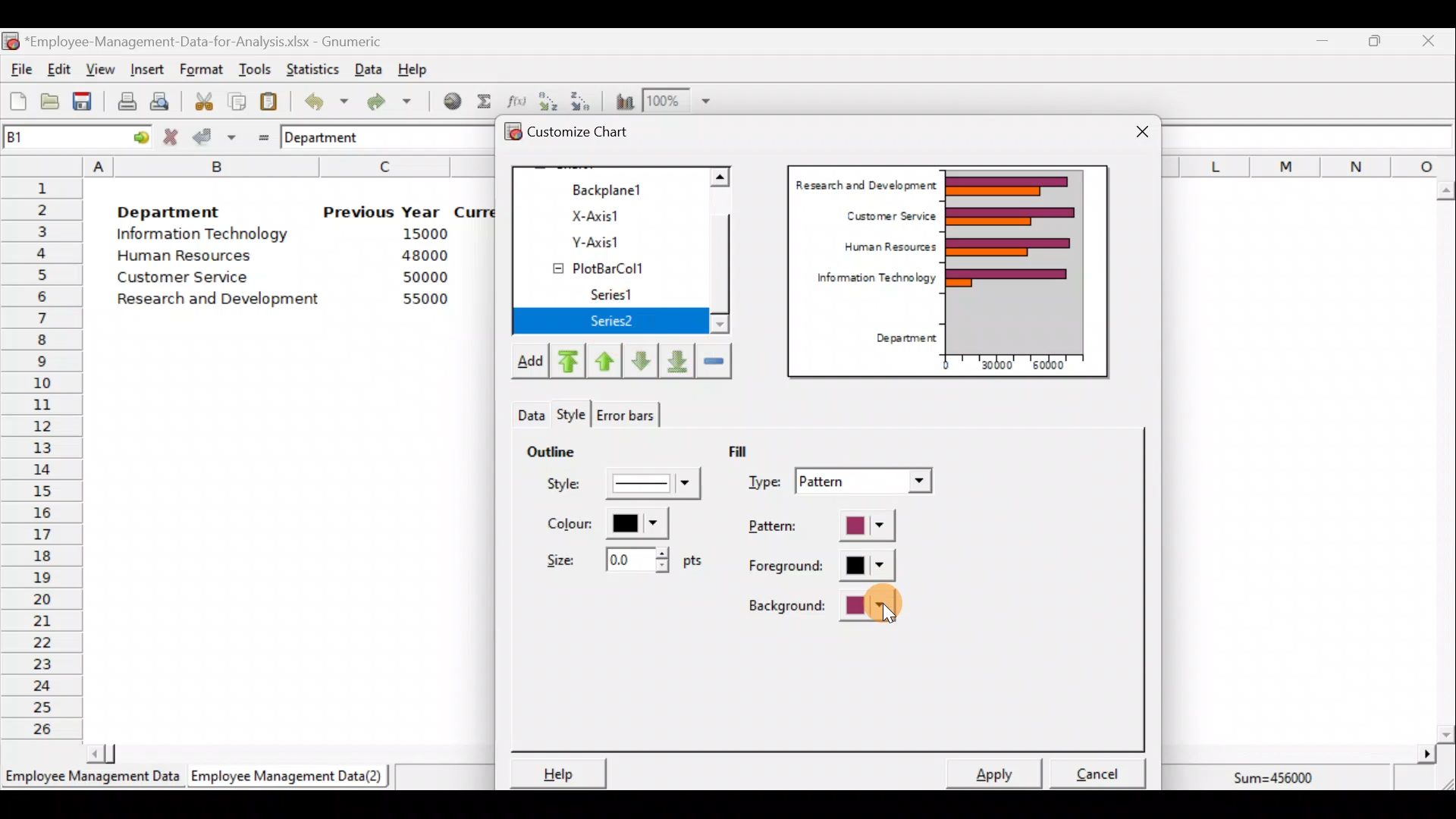 The image size is (1456, 819). Describe the element at coordinates (447, 100) in the screenshot. I see `Insert hyperlink` at that location.